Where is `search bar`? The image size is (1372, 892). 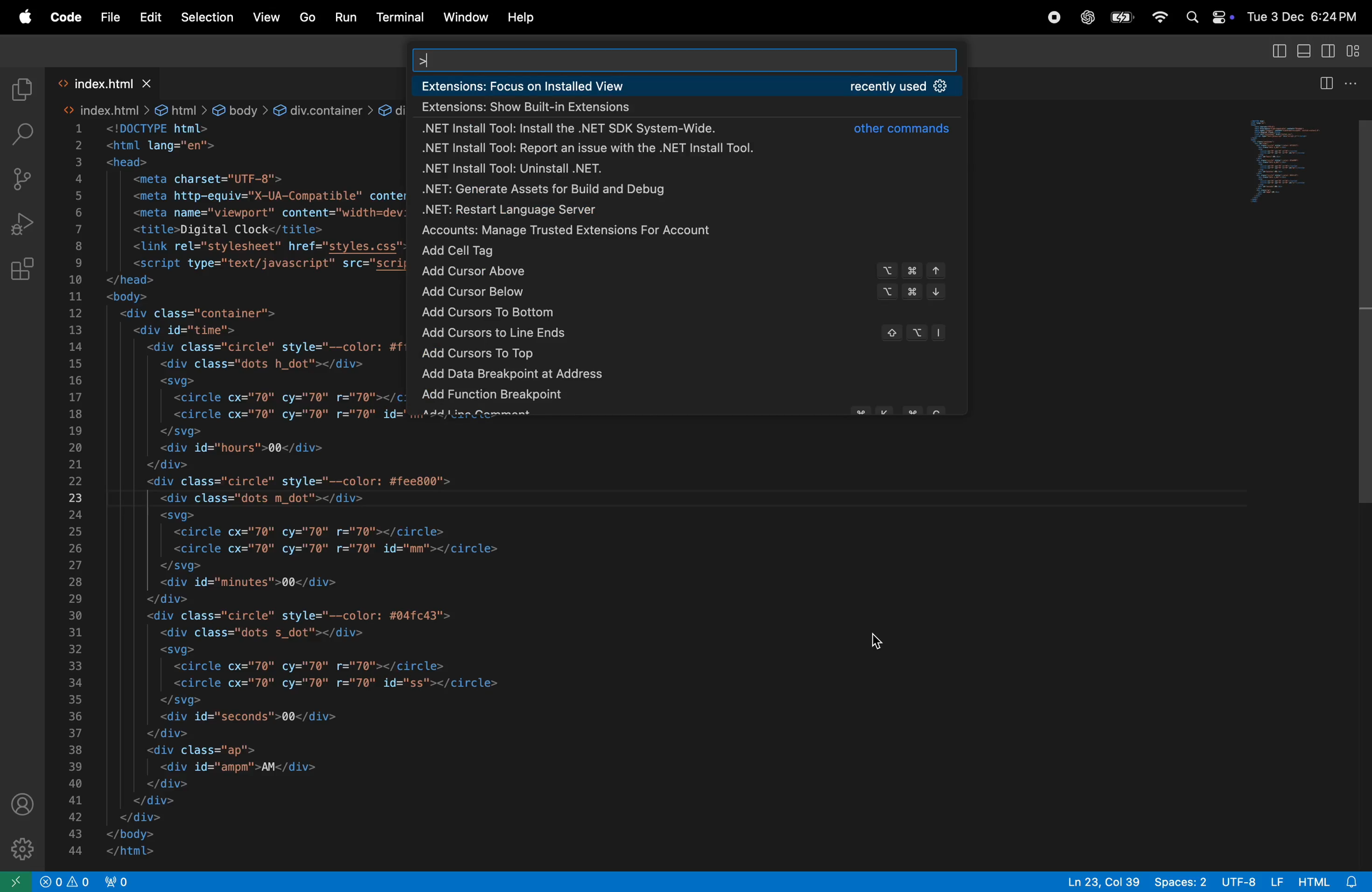
search bar is located at coordinates (688, 56).